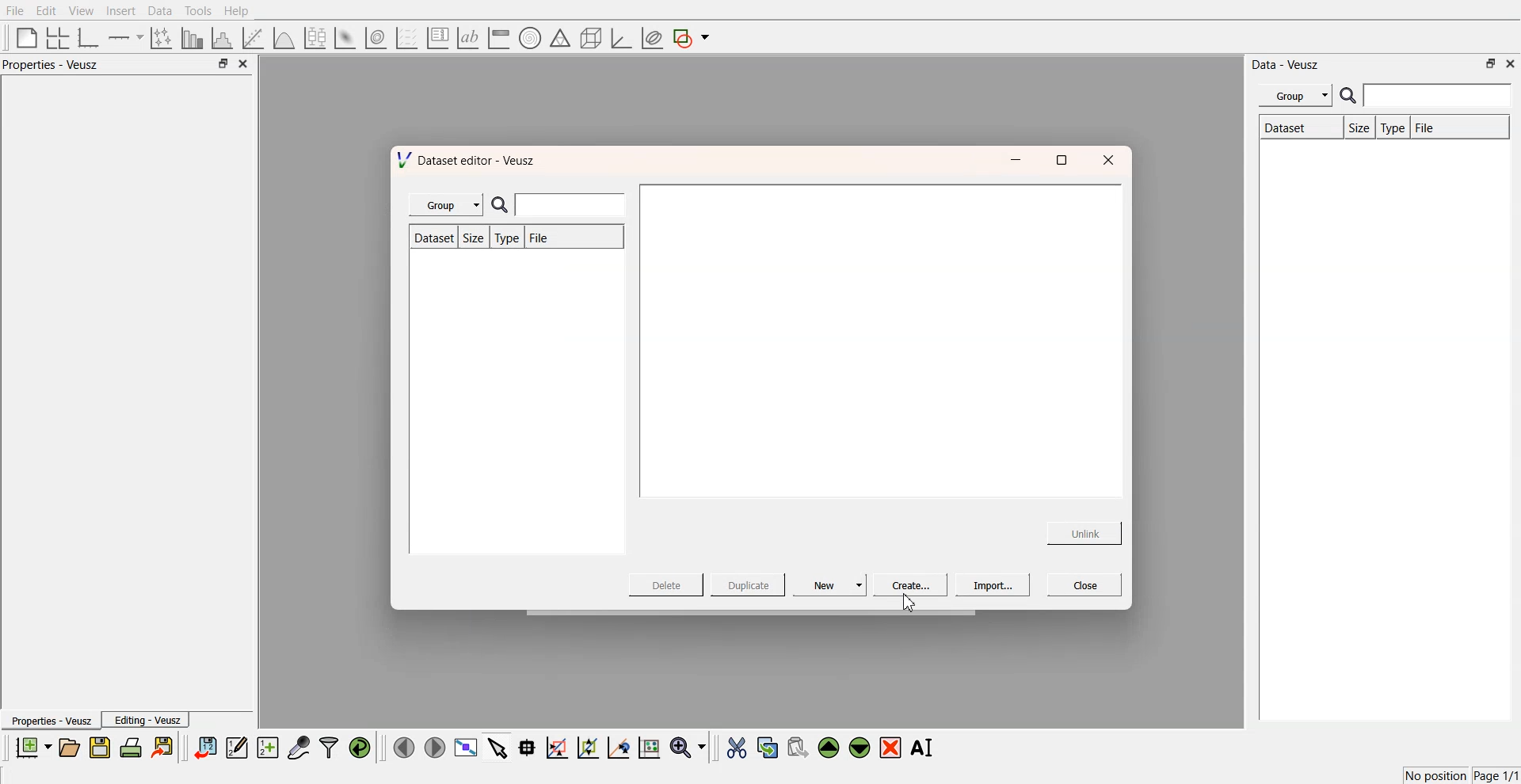  What do you see at coordinates (748, 586) in the screenshot?
I see `Duplicate` at bounding box center [748, 586].